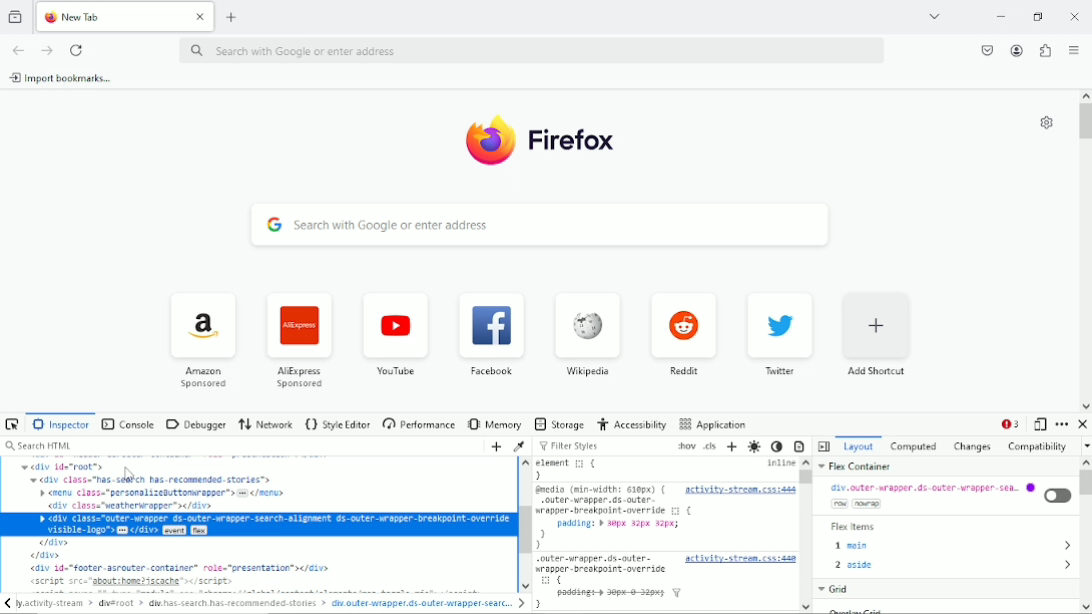  Describe the element at coordinates (526, 583) in the screenshot. I see `scroll down` at that location.